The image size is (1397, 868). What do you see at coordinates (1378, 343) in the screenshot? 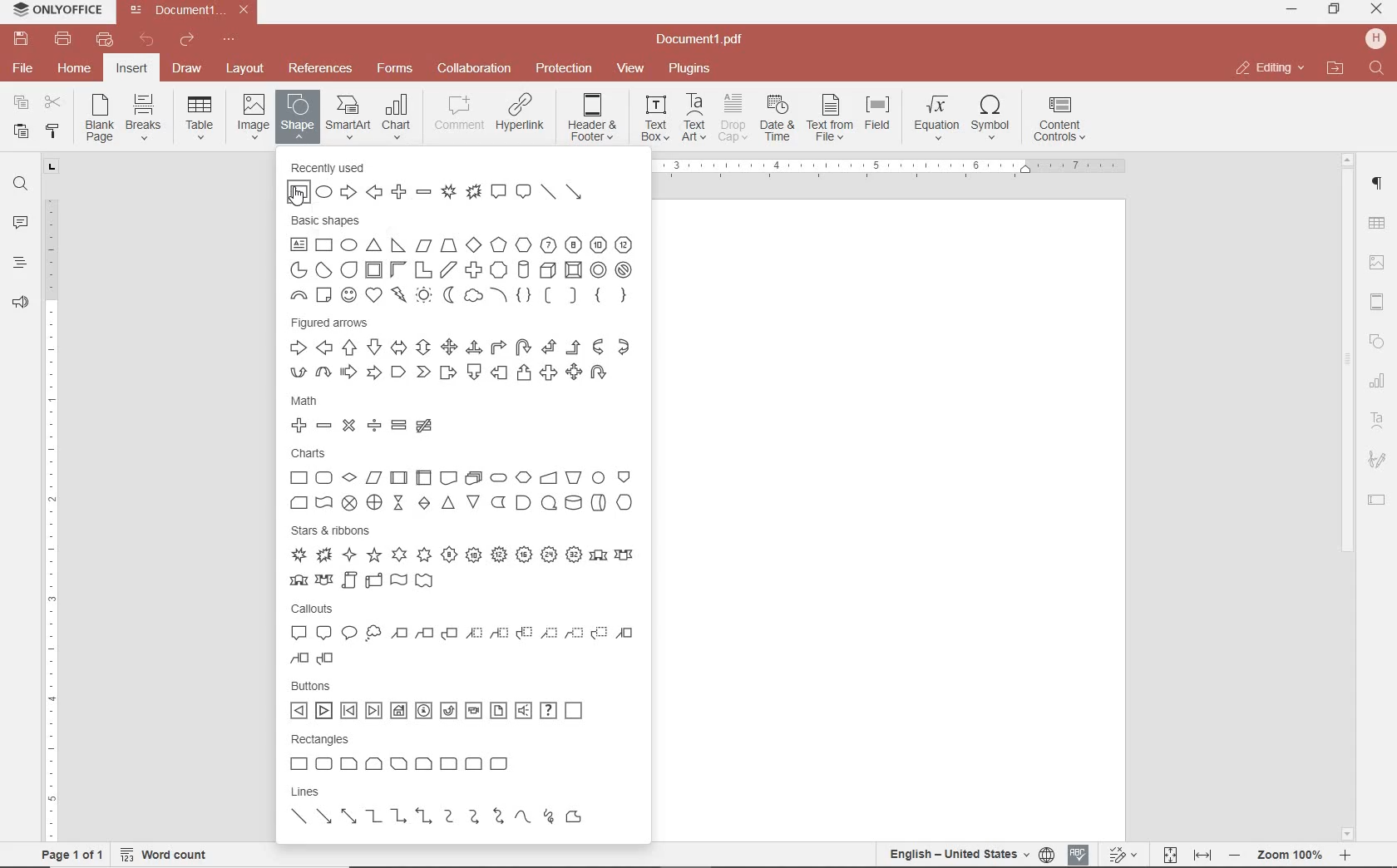
I see `SHAPES` at bounding box center [1378, 343].